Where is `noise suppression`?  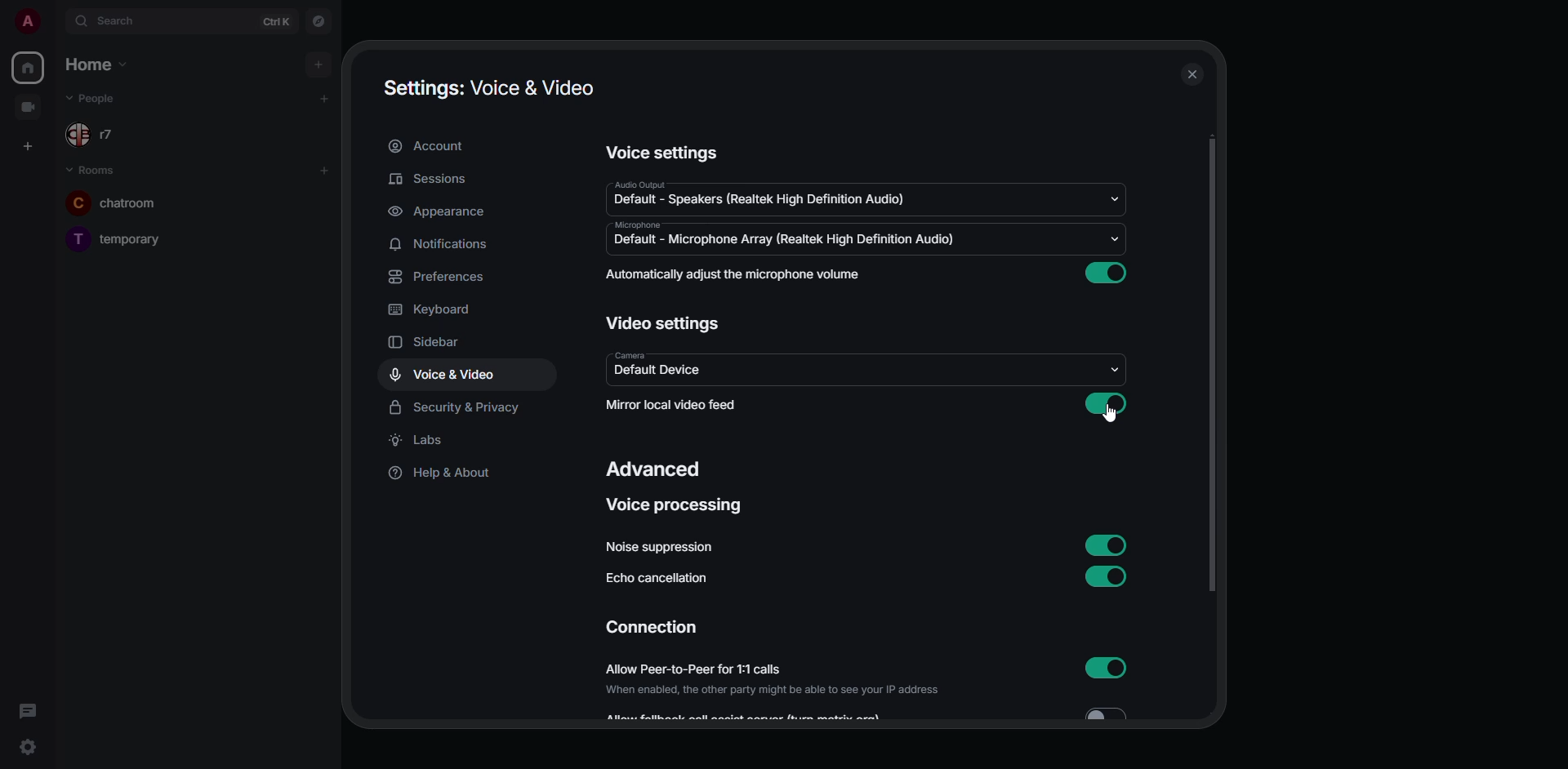
noise suppression is located at coordinates (658, 546).